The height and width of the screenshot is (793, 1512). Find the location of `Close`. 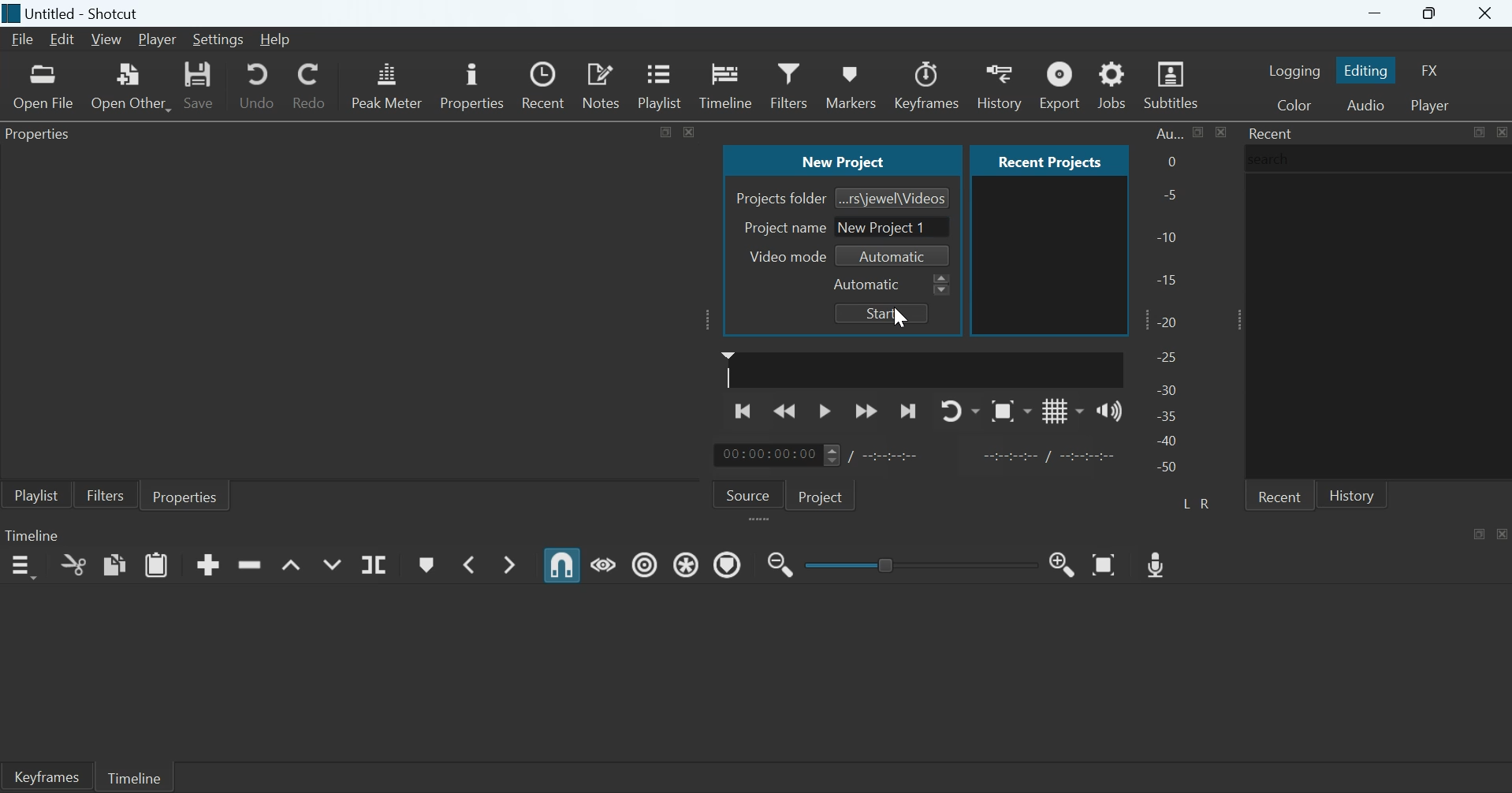

Close is located at coordinates (1501, 132).